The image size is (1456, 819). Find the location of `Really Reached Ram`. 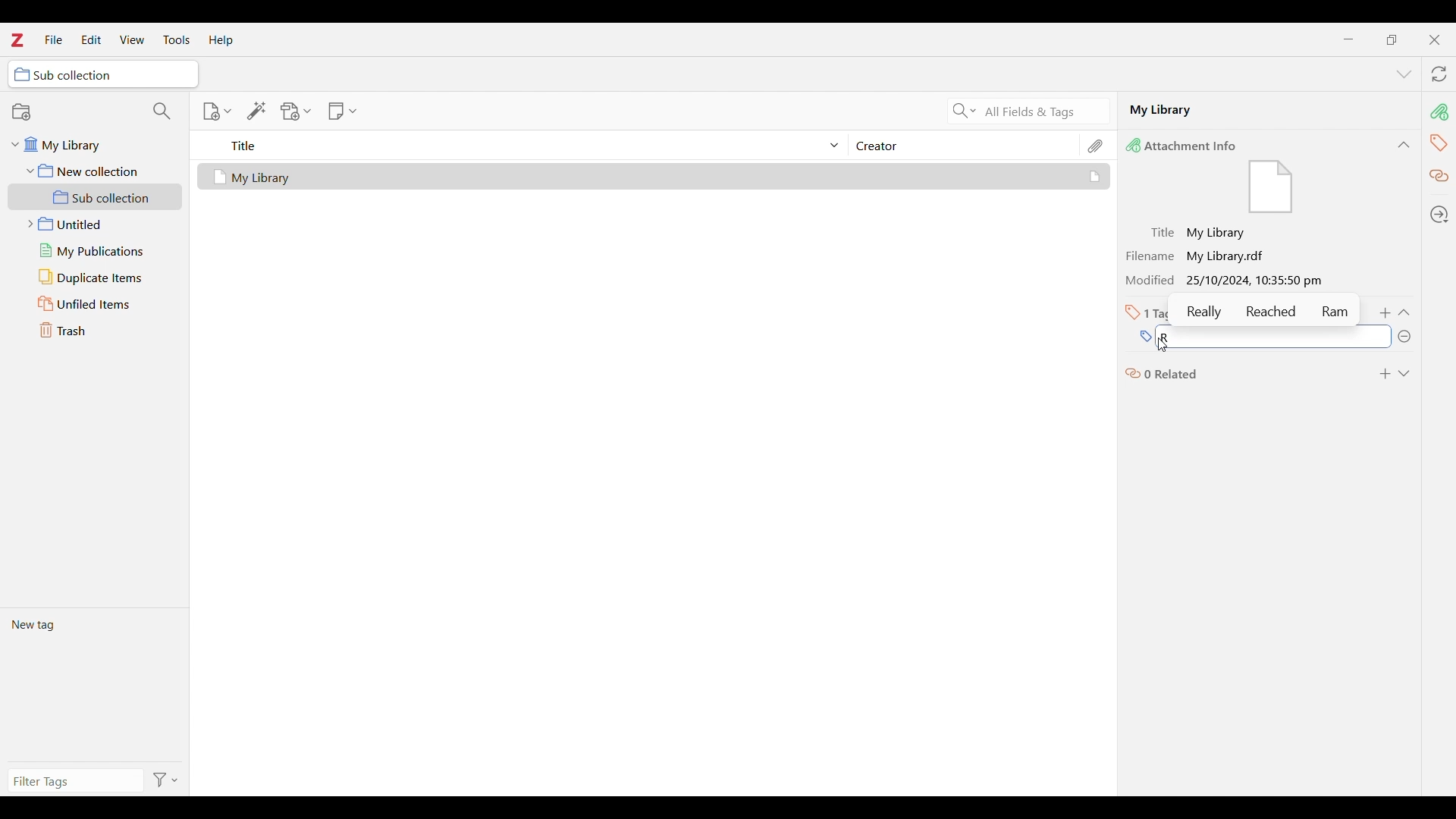

Really Reached Ram is located at coordinates (1268, 311).